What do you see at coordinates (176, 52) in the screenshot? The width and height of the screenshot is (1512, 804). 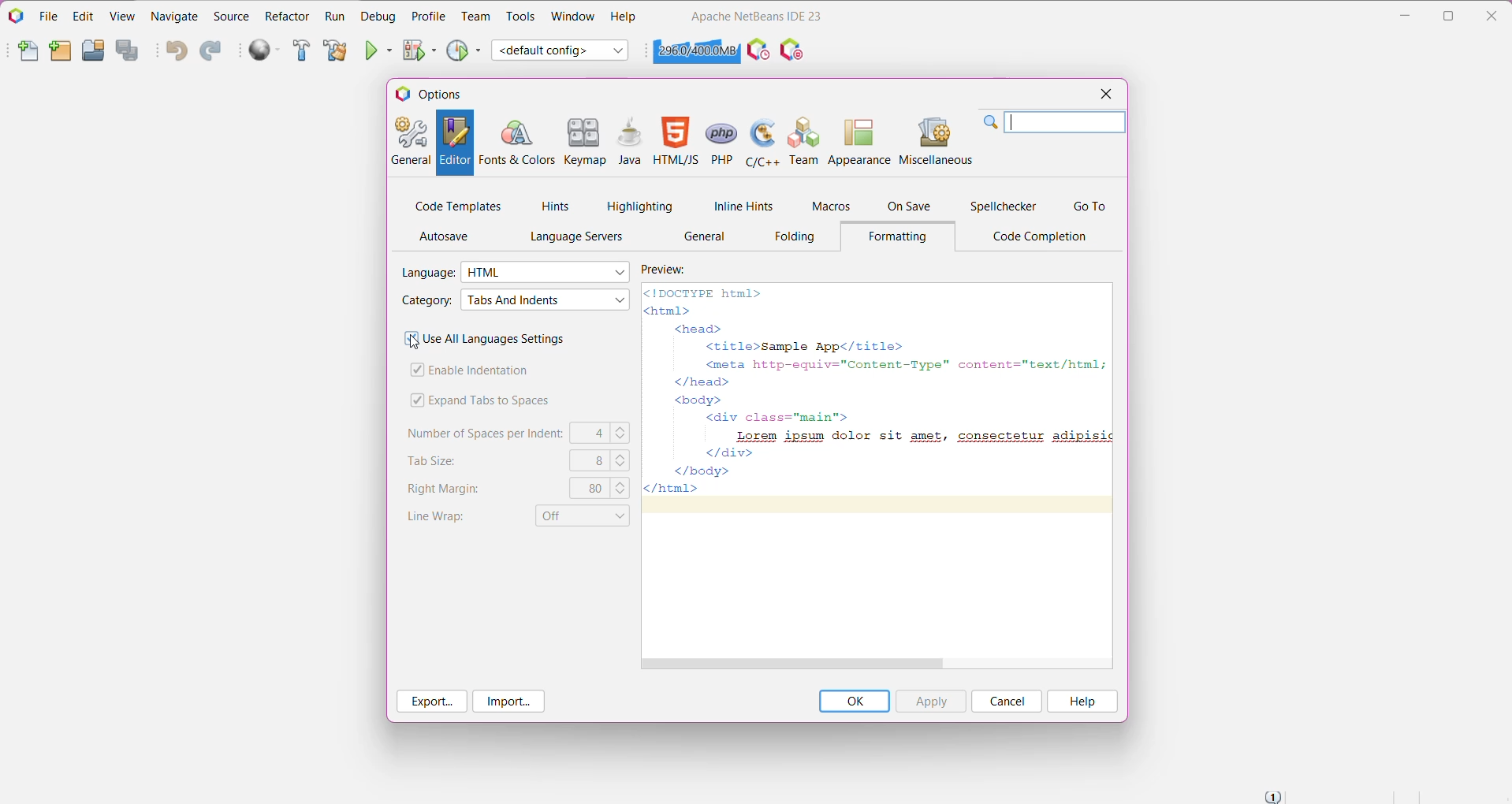 I see `Undo` at bounding box center [176, 52].